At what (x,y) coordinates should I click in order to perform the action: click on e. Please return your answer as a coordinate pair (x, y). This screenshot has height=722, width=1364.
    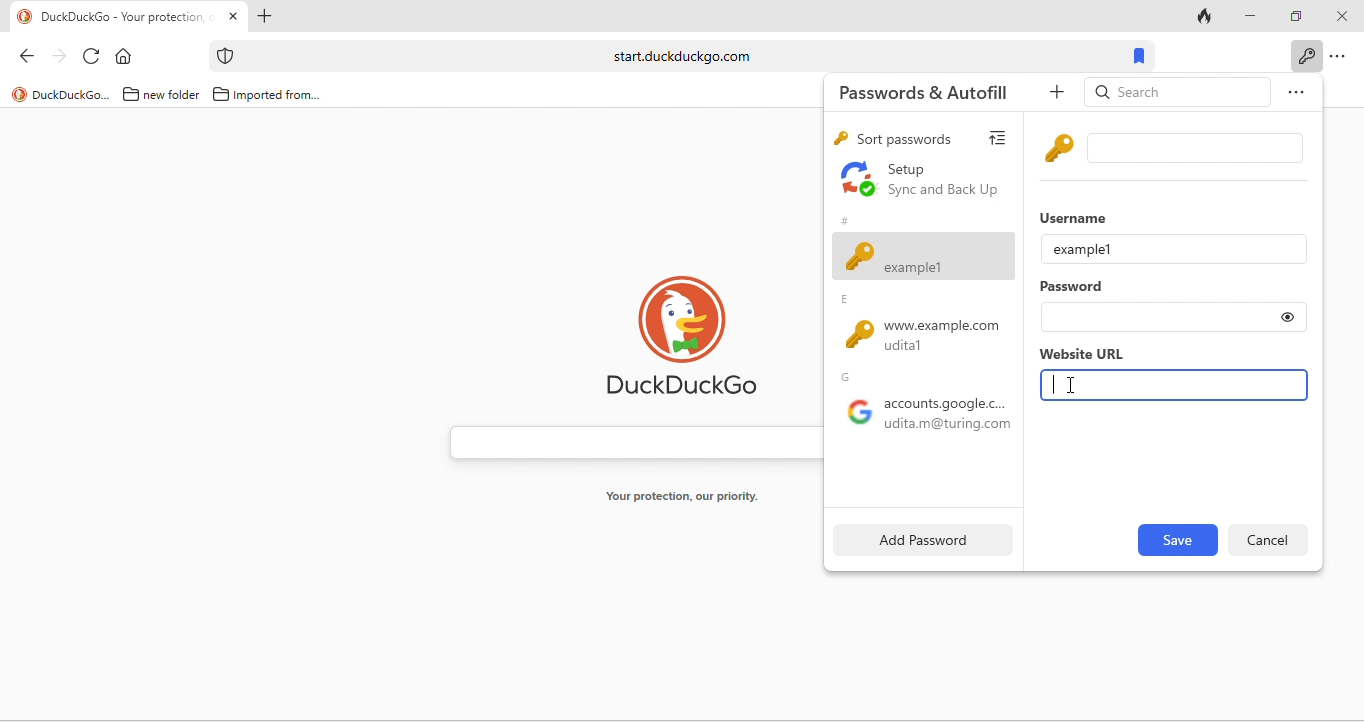
    Looking at the image, I should click on (849, 300).